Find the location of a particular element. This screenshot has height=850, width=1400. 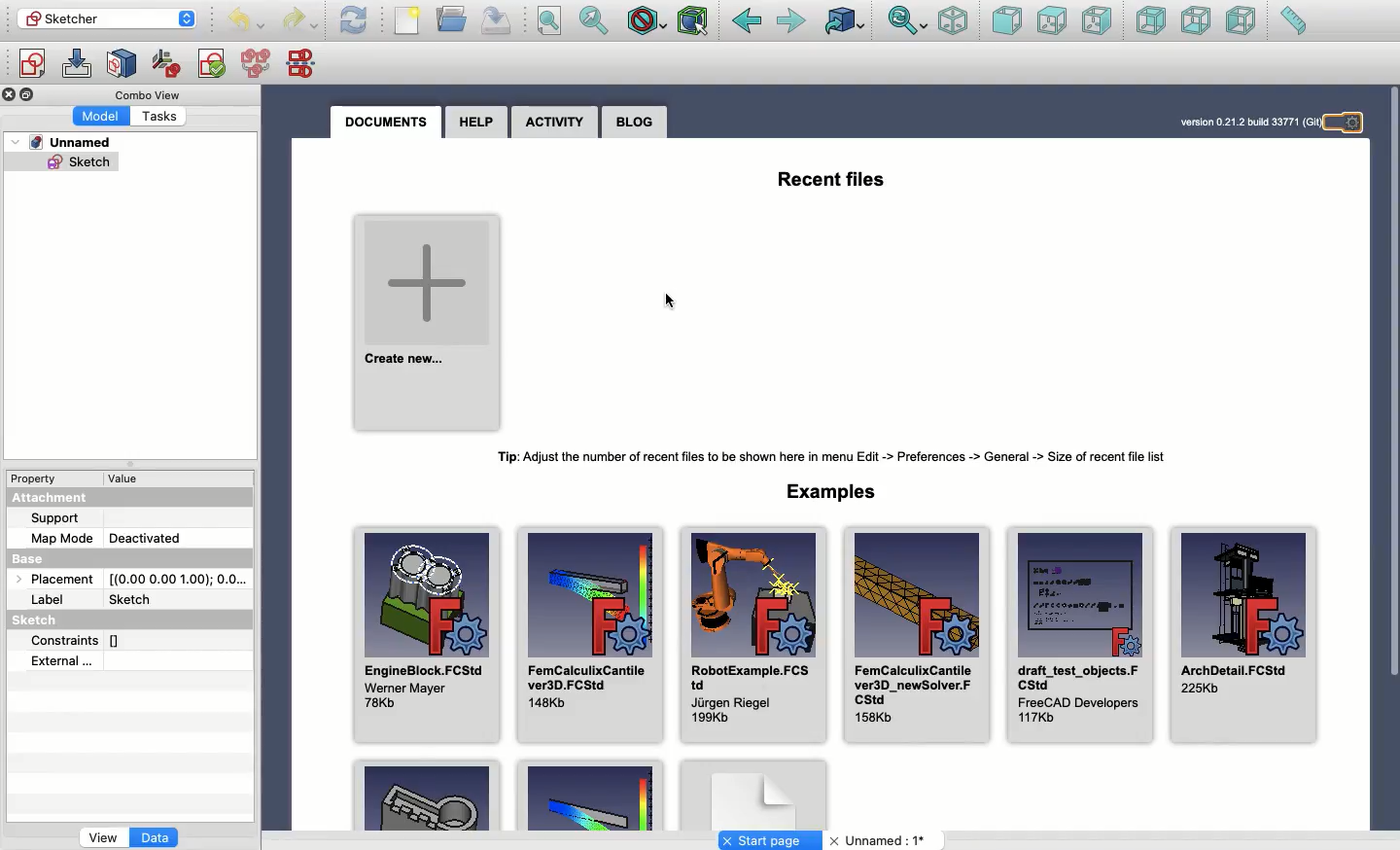

Isometric is located at coordinates (953, 22).